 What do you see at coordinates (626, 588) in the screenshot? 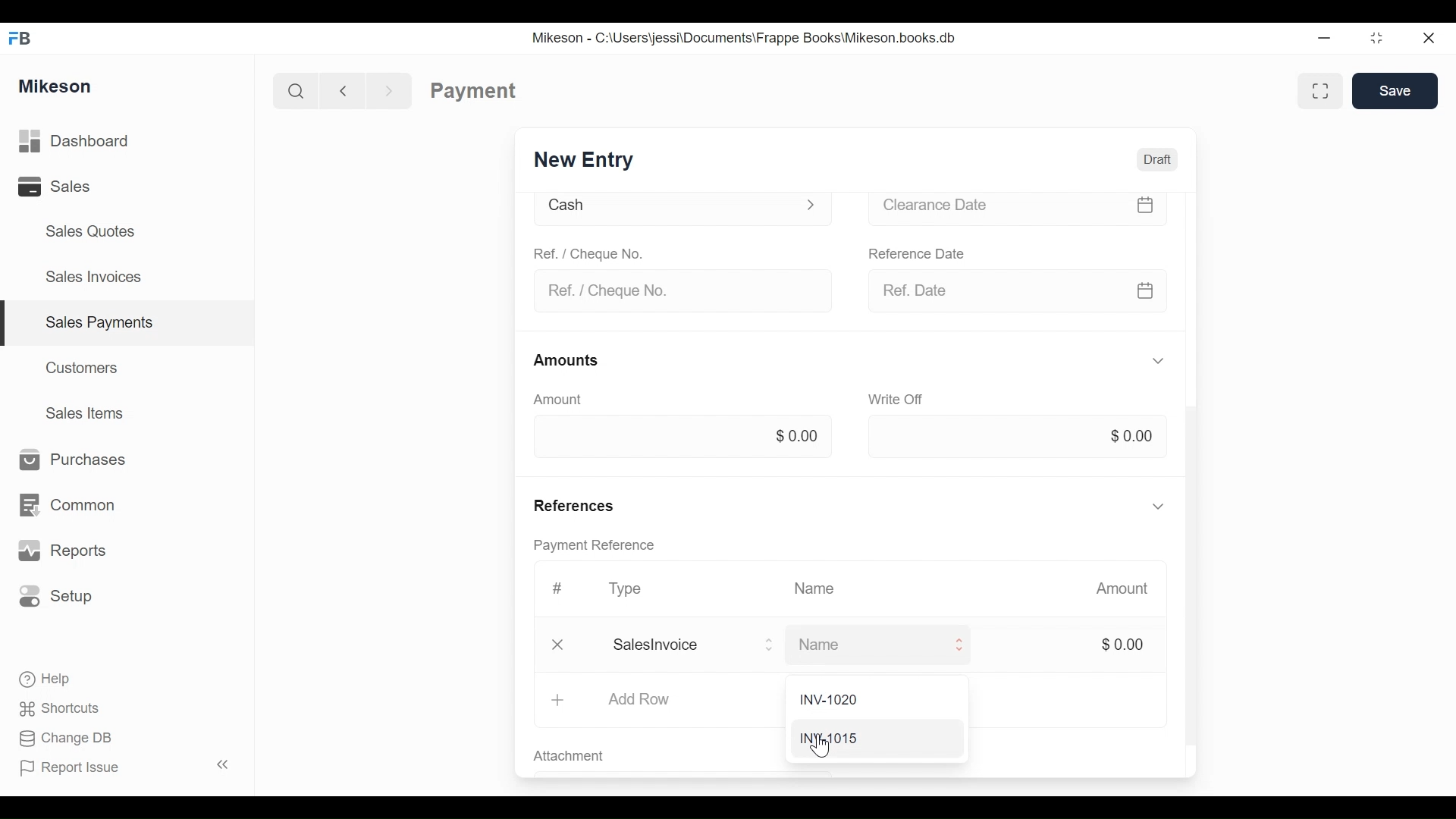
I see `Type` at bounding box center [626, 588].